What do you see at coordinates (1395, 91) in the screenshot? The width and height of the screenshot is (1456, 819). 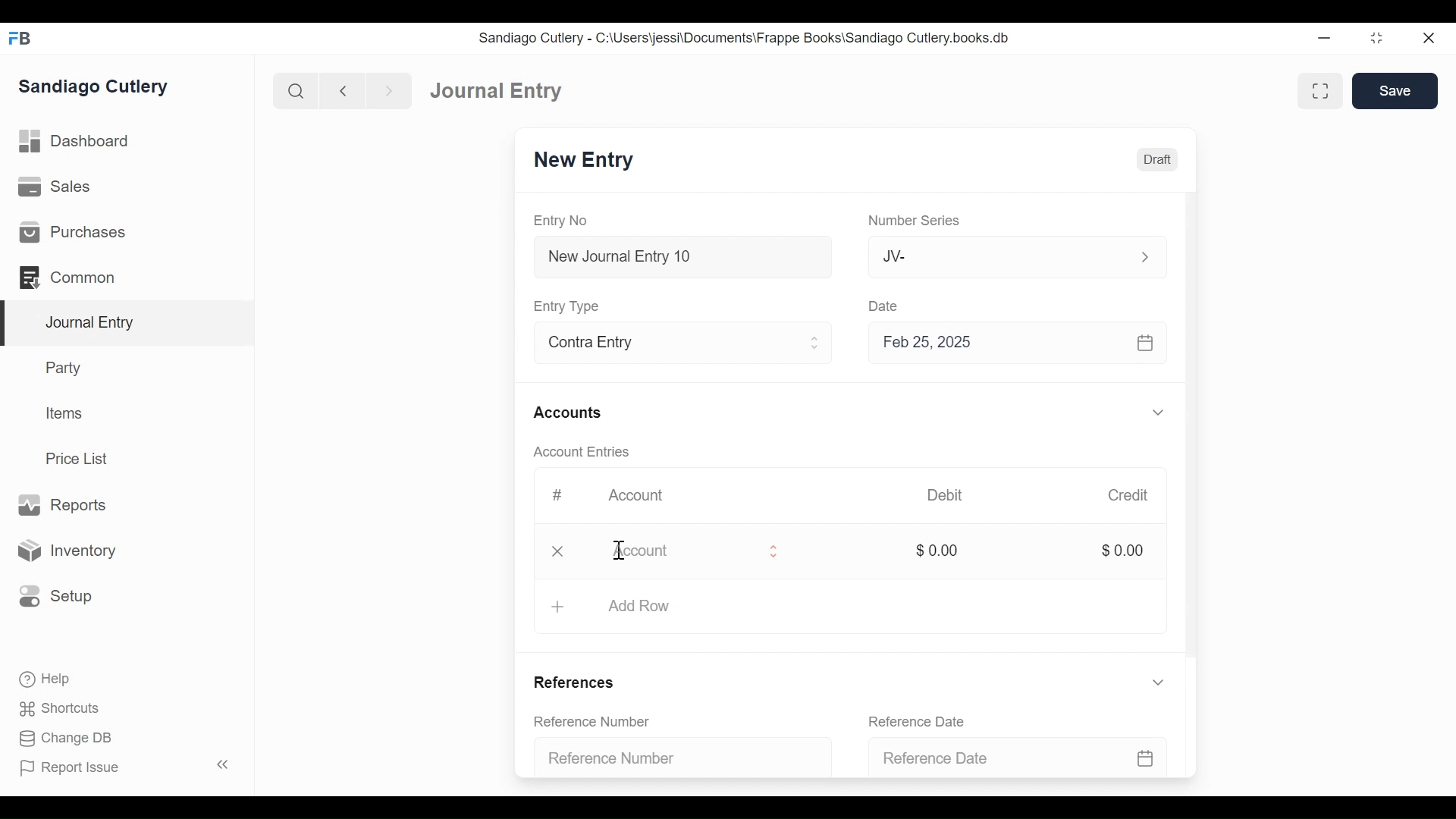 I see `Save` at bounding box center [1395, 91].